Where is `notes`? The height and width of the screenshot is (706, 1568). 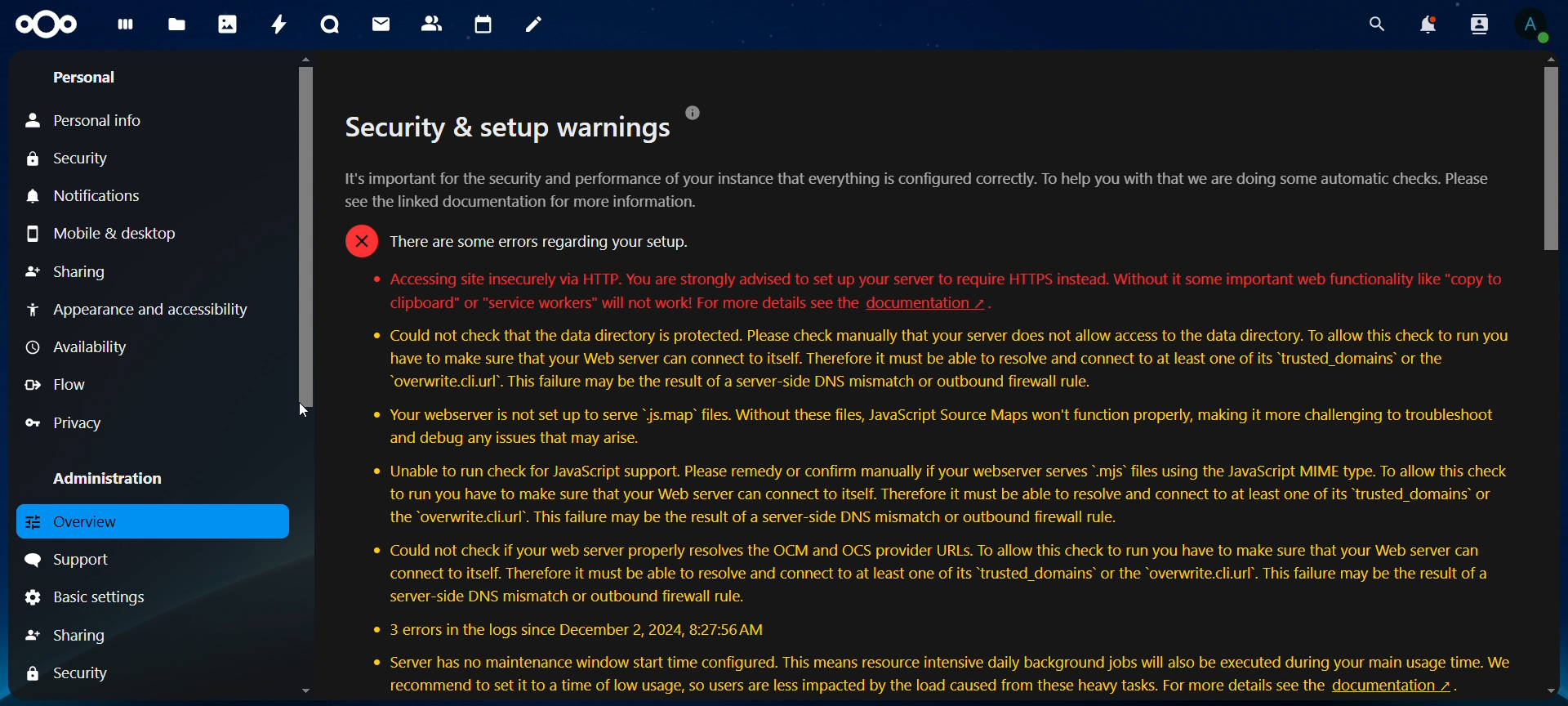 notes is located at coordinates (537, 25).